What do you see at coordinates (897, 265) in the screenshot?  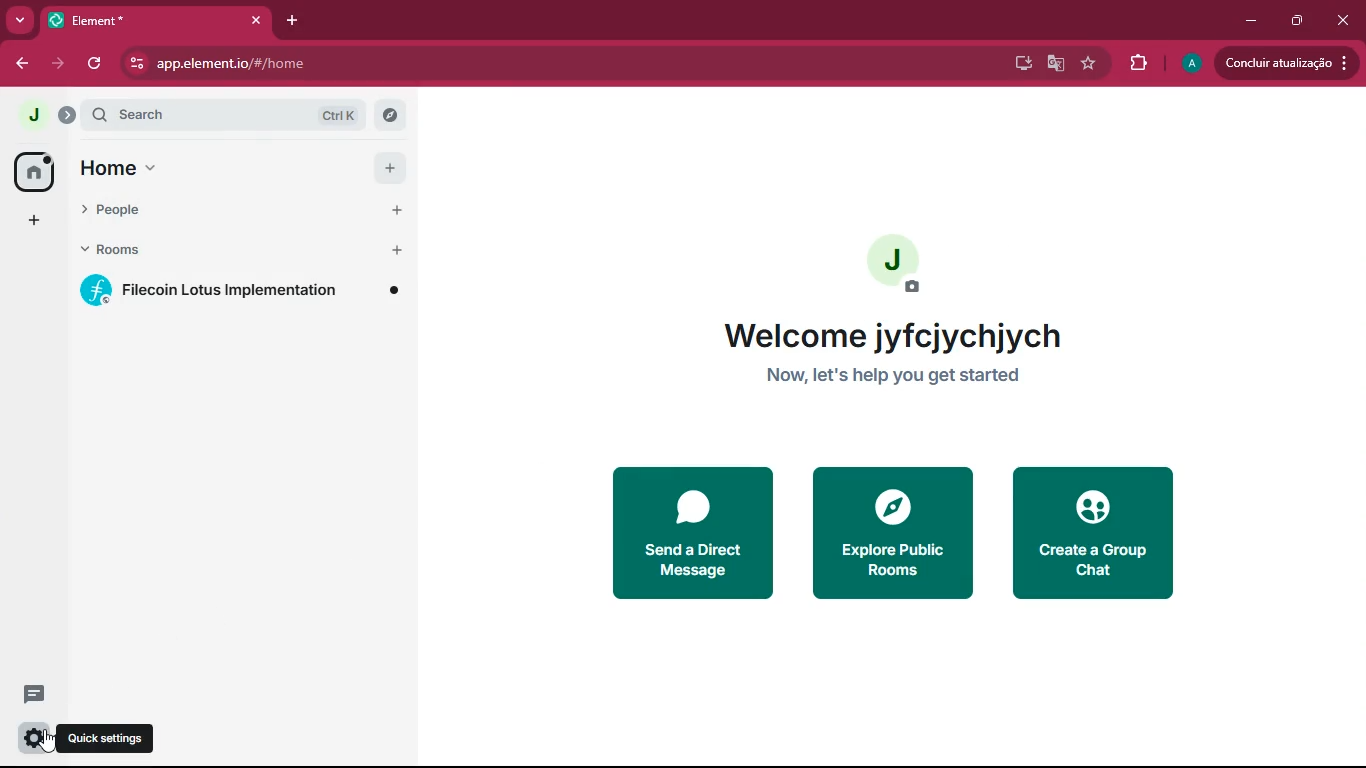 I see `profile picture` at bounding box center [897, 265].